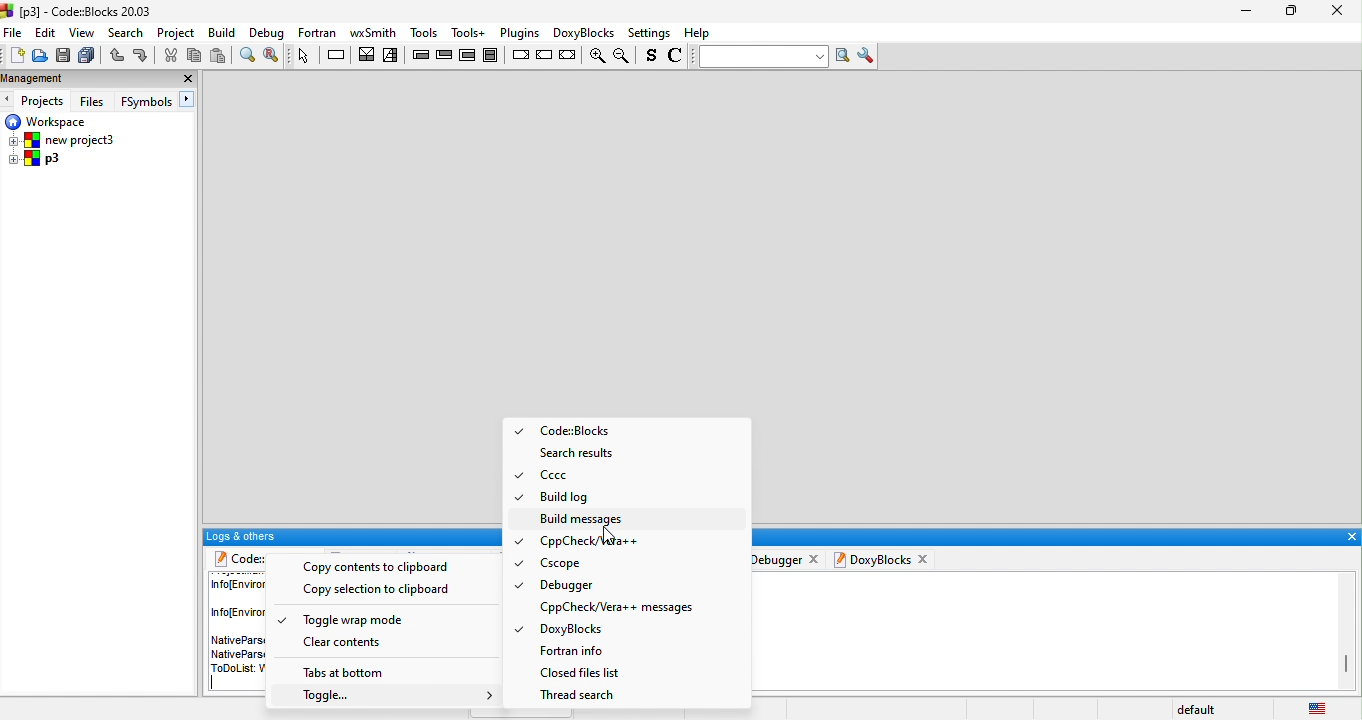 The height and width of the screenshot is (720, 1362). What do you see at coordinates (1345, 663) in the screenshot?
I see `vertical scroll bar` at bounding box center [1345, 663].